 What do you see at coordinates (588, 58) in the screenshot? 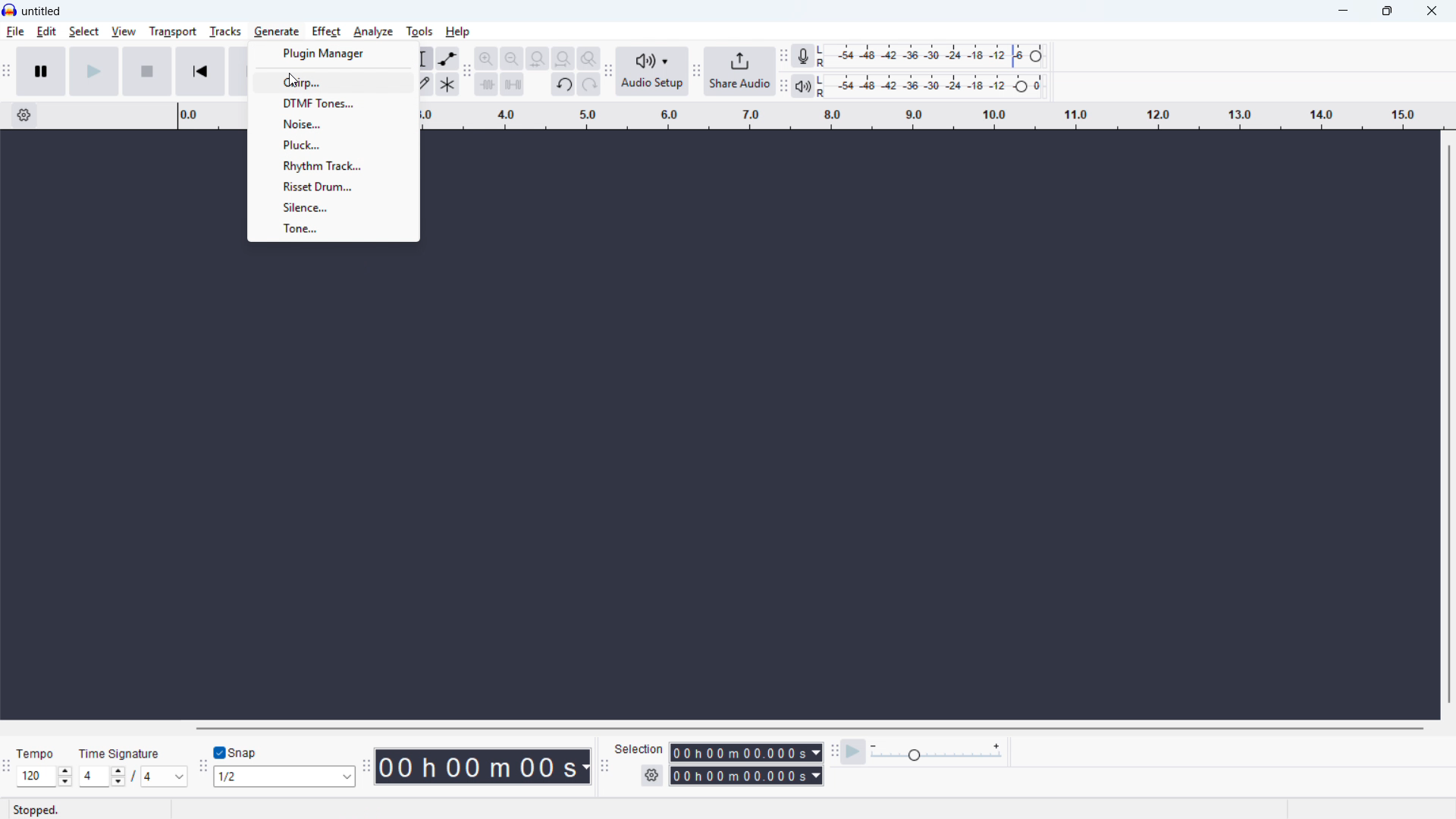
I see `Toggle zoom ` at bounding box center [588, 58].